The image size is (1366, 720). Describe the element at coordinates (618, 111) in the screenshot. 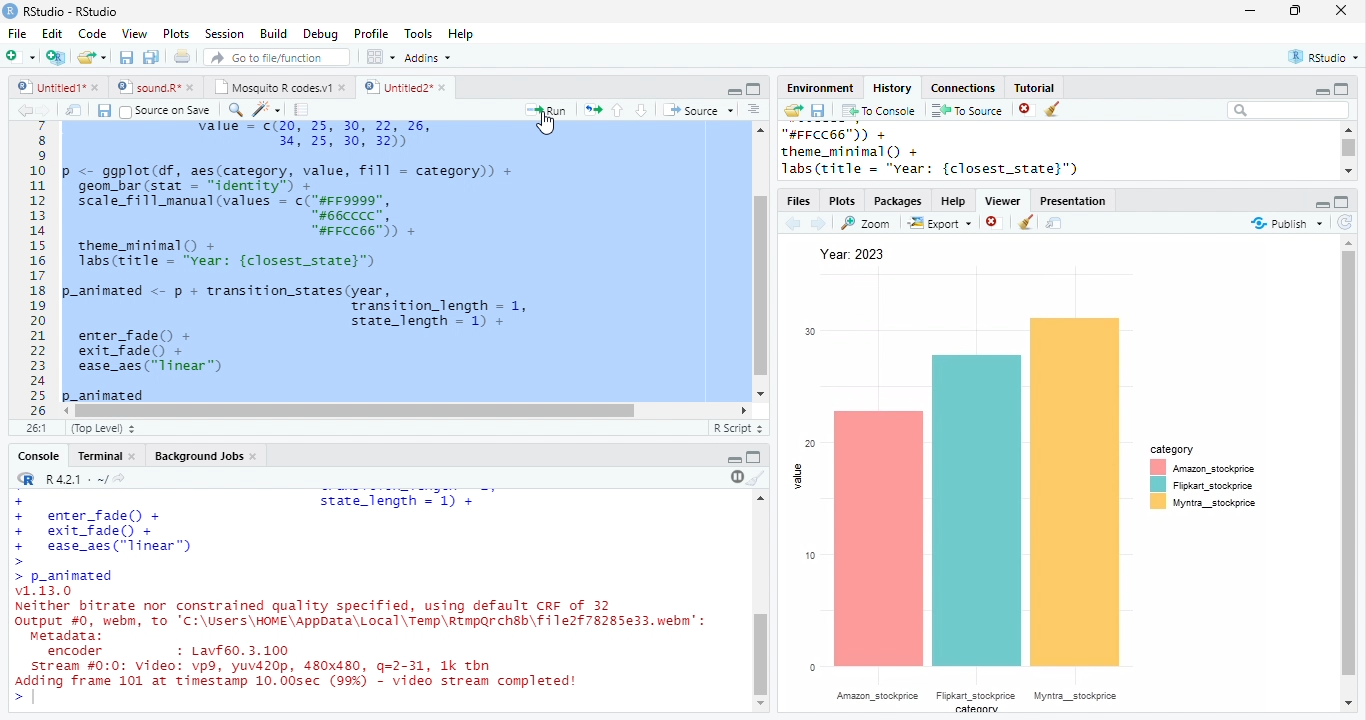

I see `up` at that location.